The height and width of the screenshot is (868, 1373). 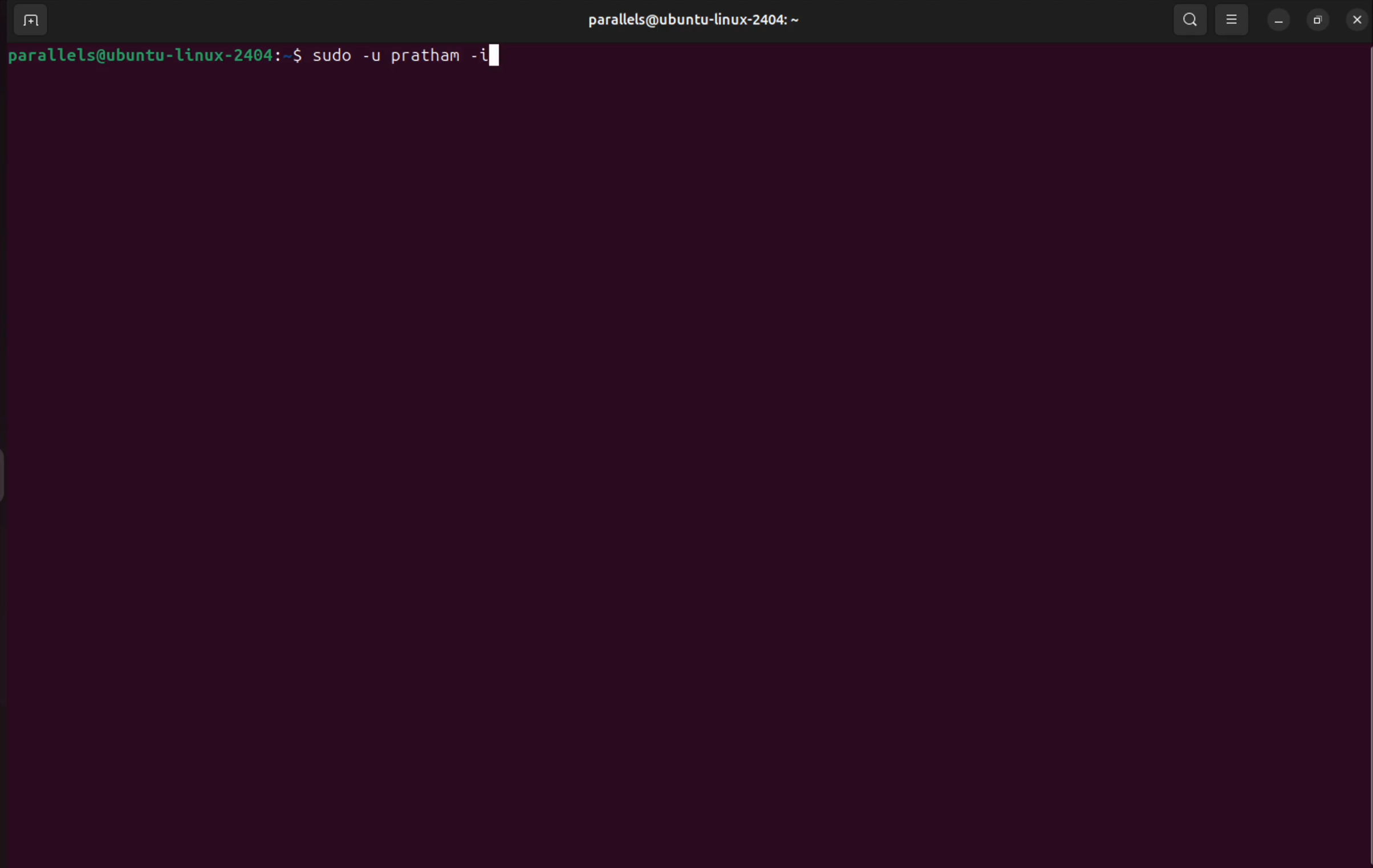 I want to click on parallels username, so click(x=691, y=21).